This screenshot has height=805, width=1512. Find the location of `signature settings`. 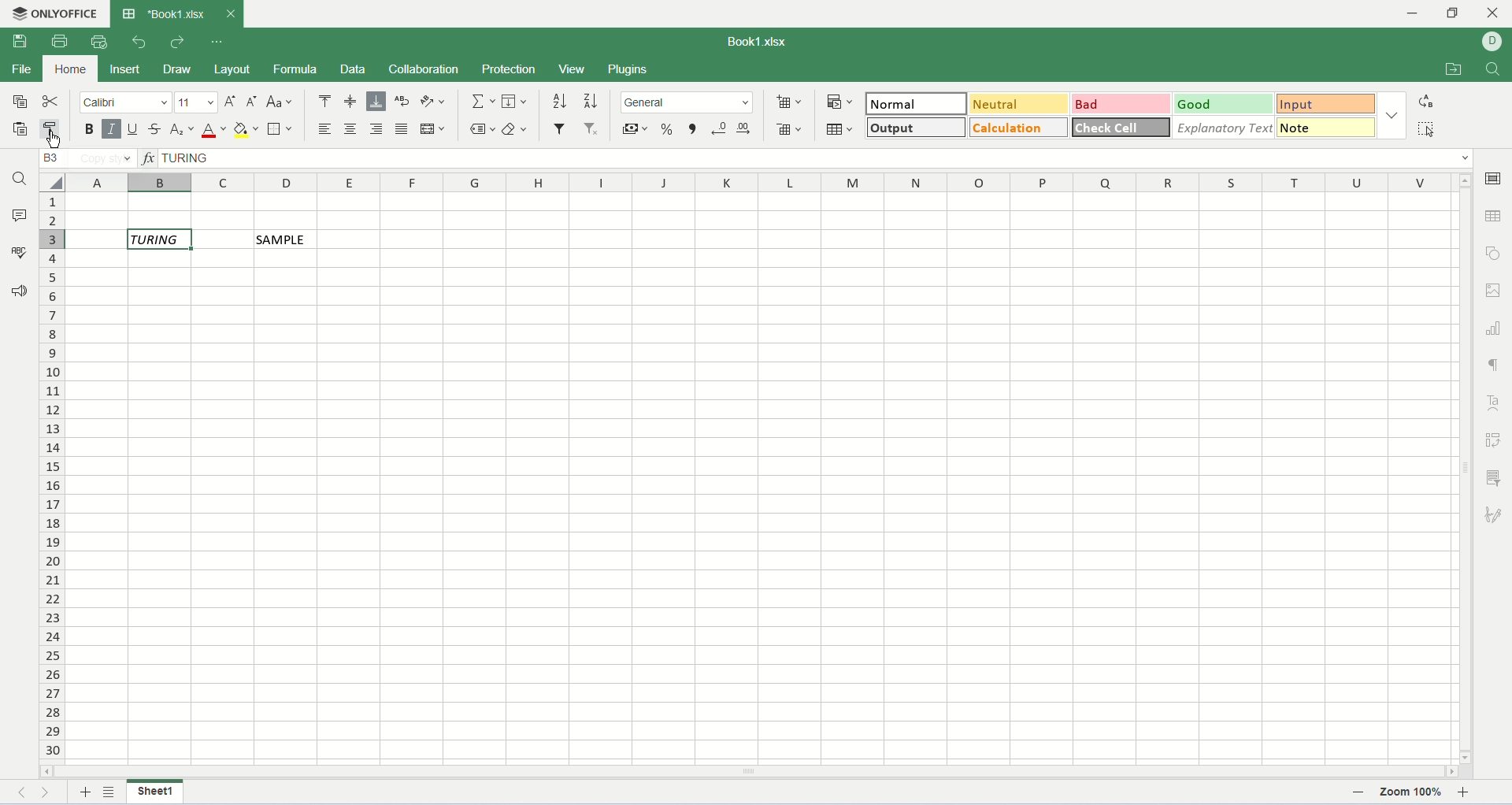

signature settings is located at coordinates (1493, 516).